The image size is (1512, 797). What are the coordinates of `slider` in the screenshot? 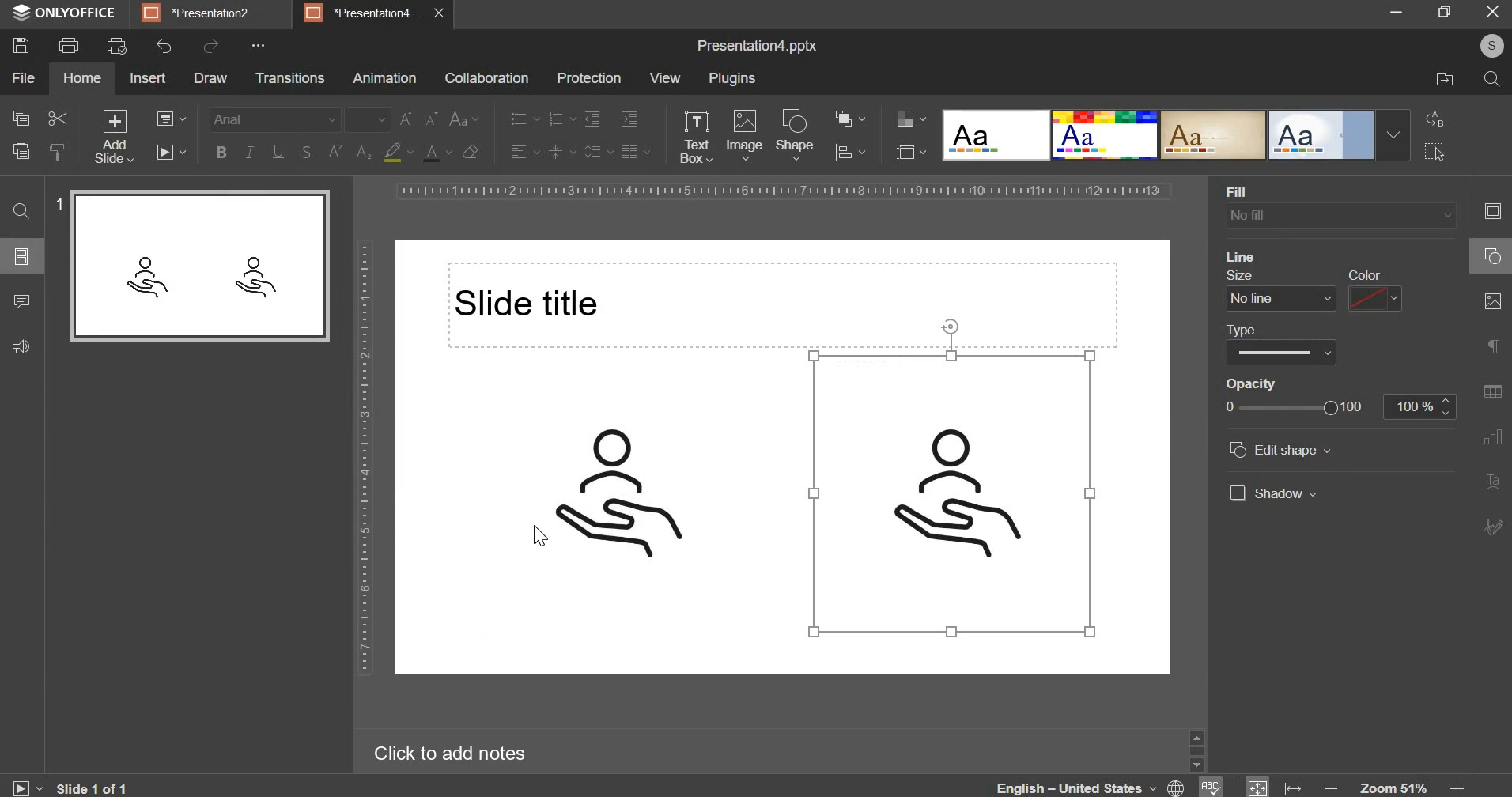 It's located at (1196, 750).